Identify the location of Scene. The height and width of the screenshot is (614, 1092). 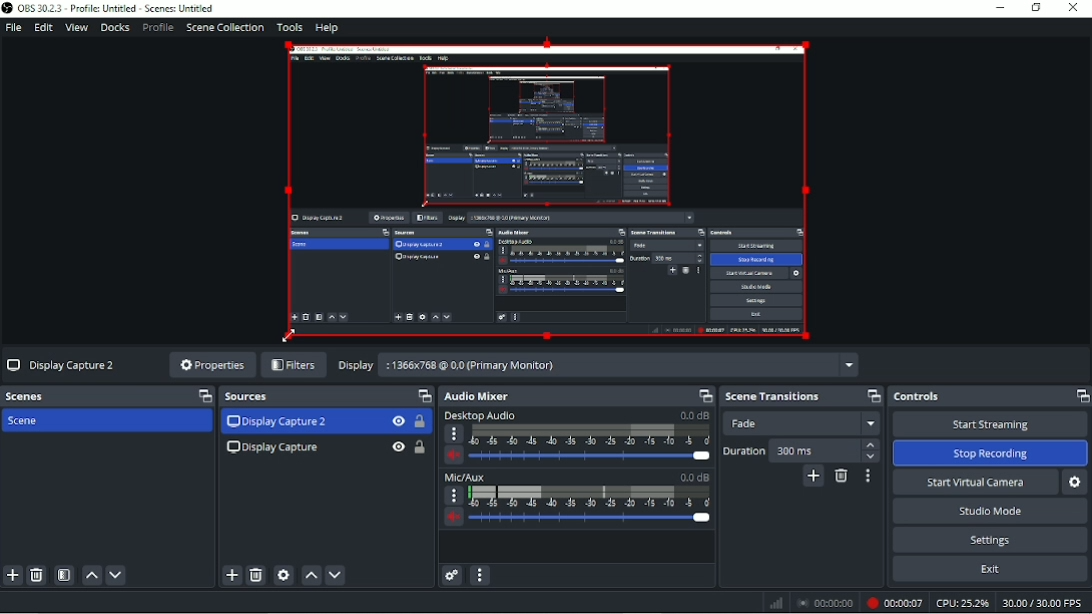
(107, 422).